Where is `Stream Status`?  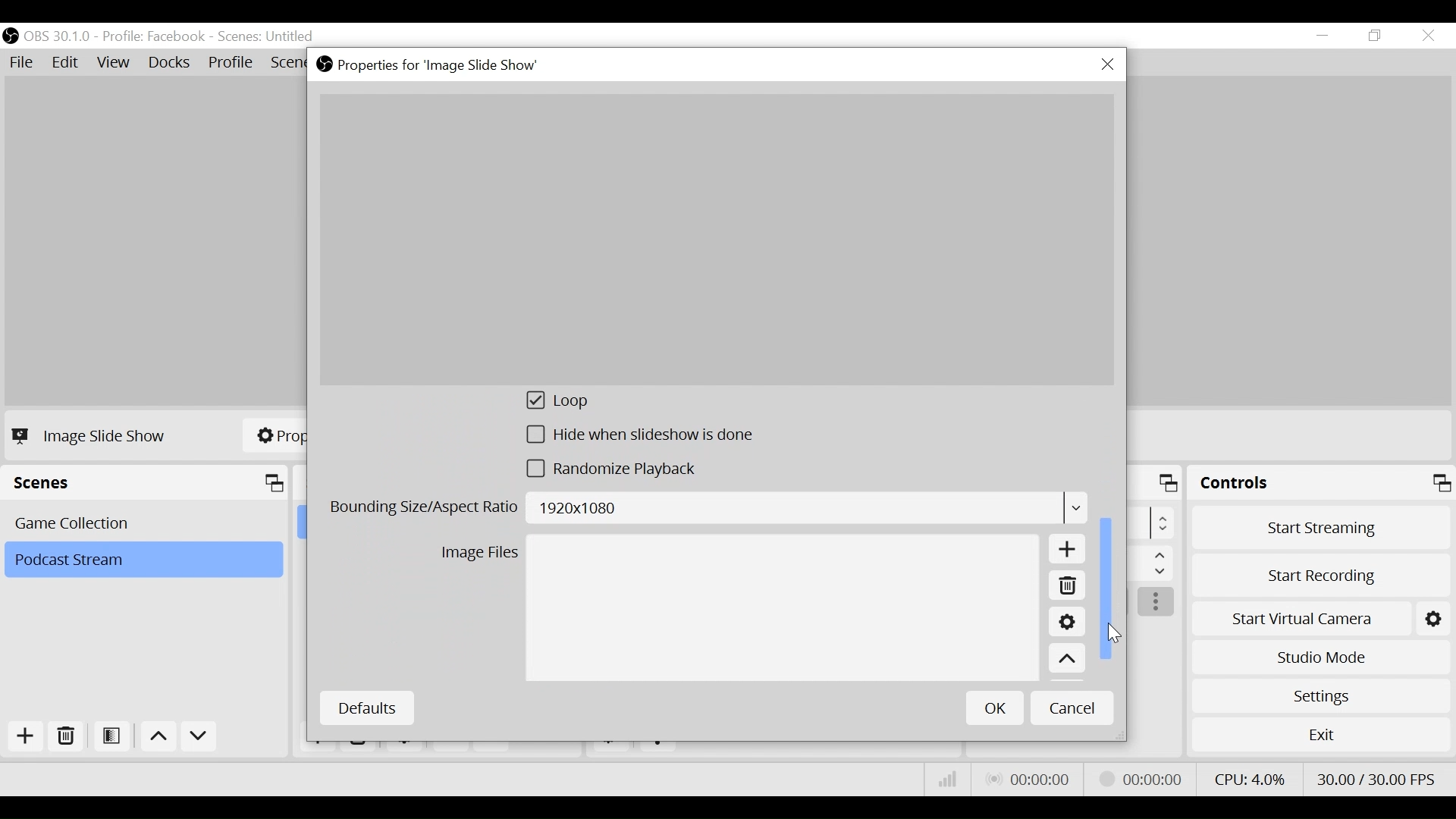
Stream Status is located at coordinates (1141, 777).